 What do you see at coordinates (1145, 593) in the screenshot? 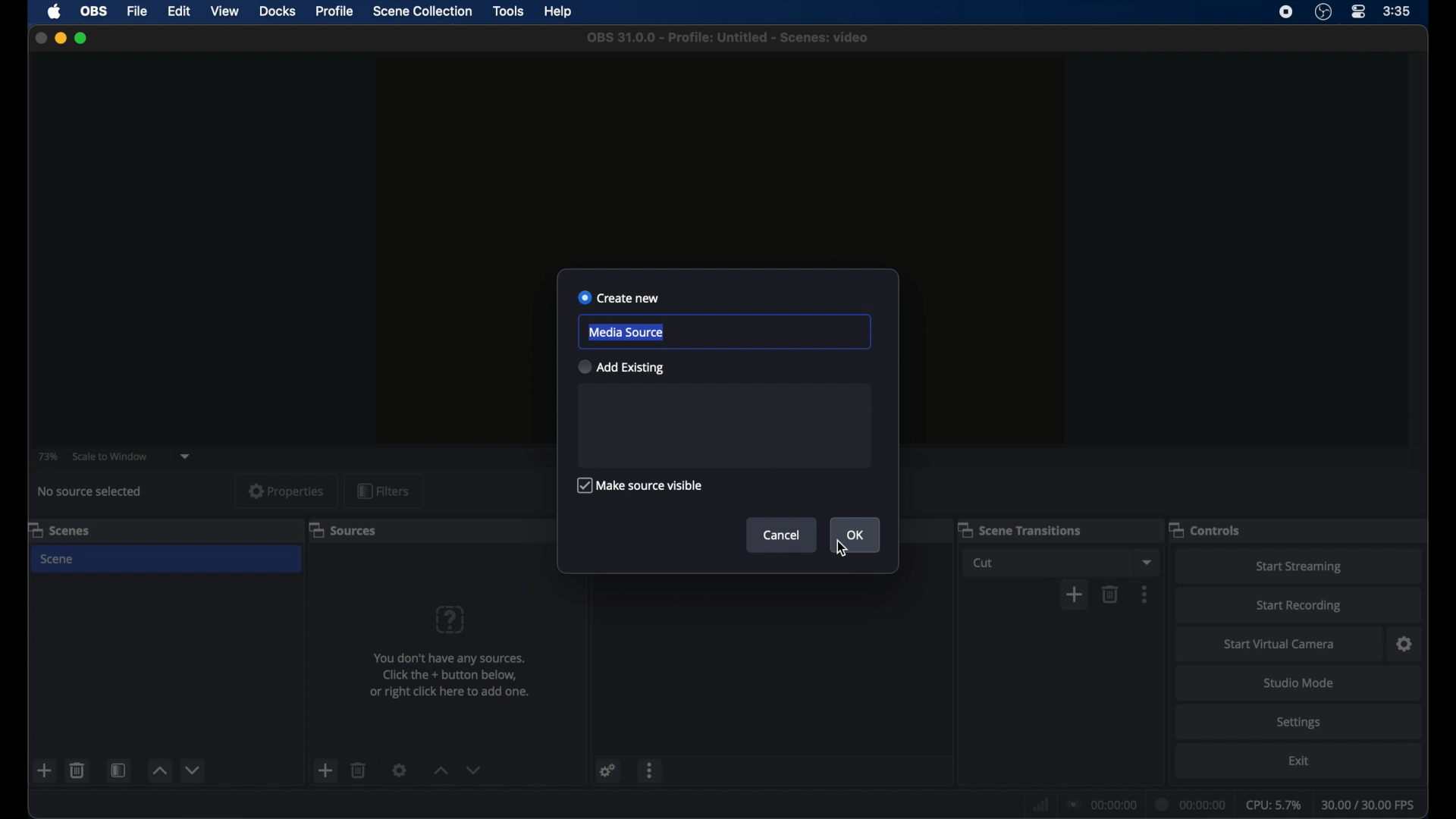
I see `more options` at bounding box center [1145, 593].